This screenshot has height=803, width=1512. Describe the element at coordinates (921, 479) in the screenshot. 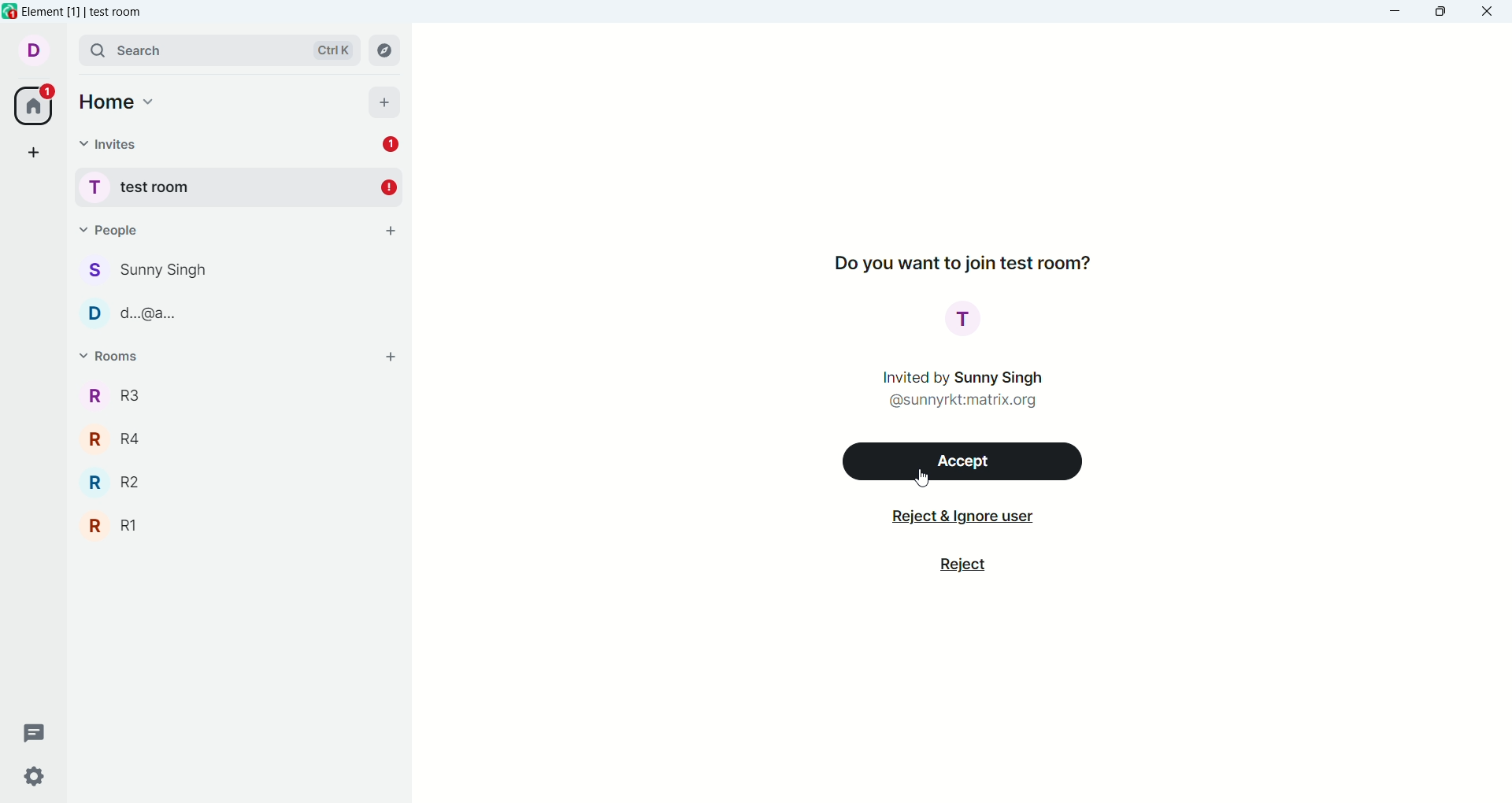

I see `cursor` at that location.